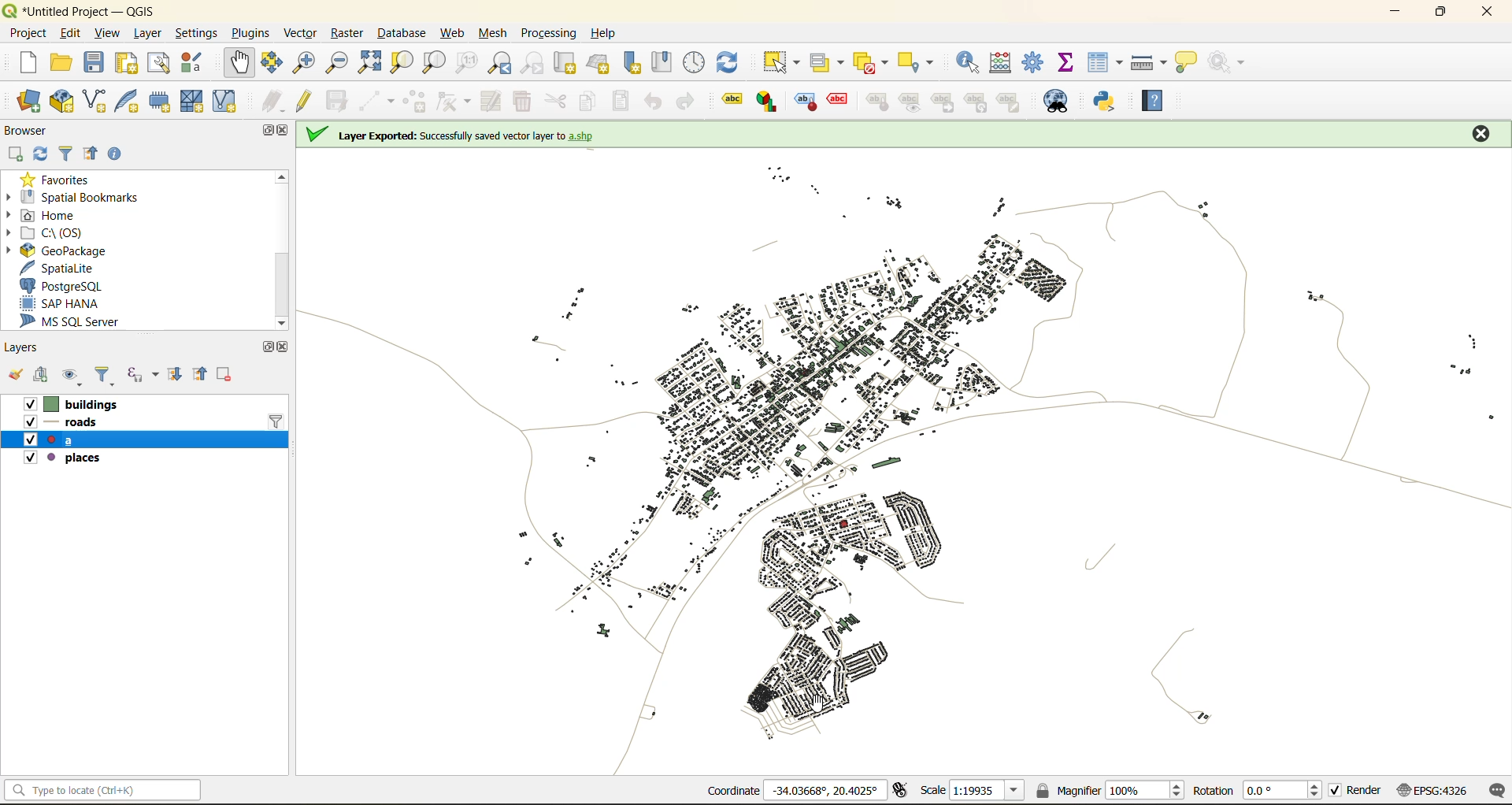 This screenshot has width=1512, height=805. What do you see at coordinates (147, 33) in the screenshot?
I see `layer` at bounding box center [147, 33].